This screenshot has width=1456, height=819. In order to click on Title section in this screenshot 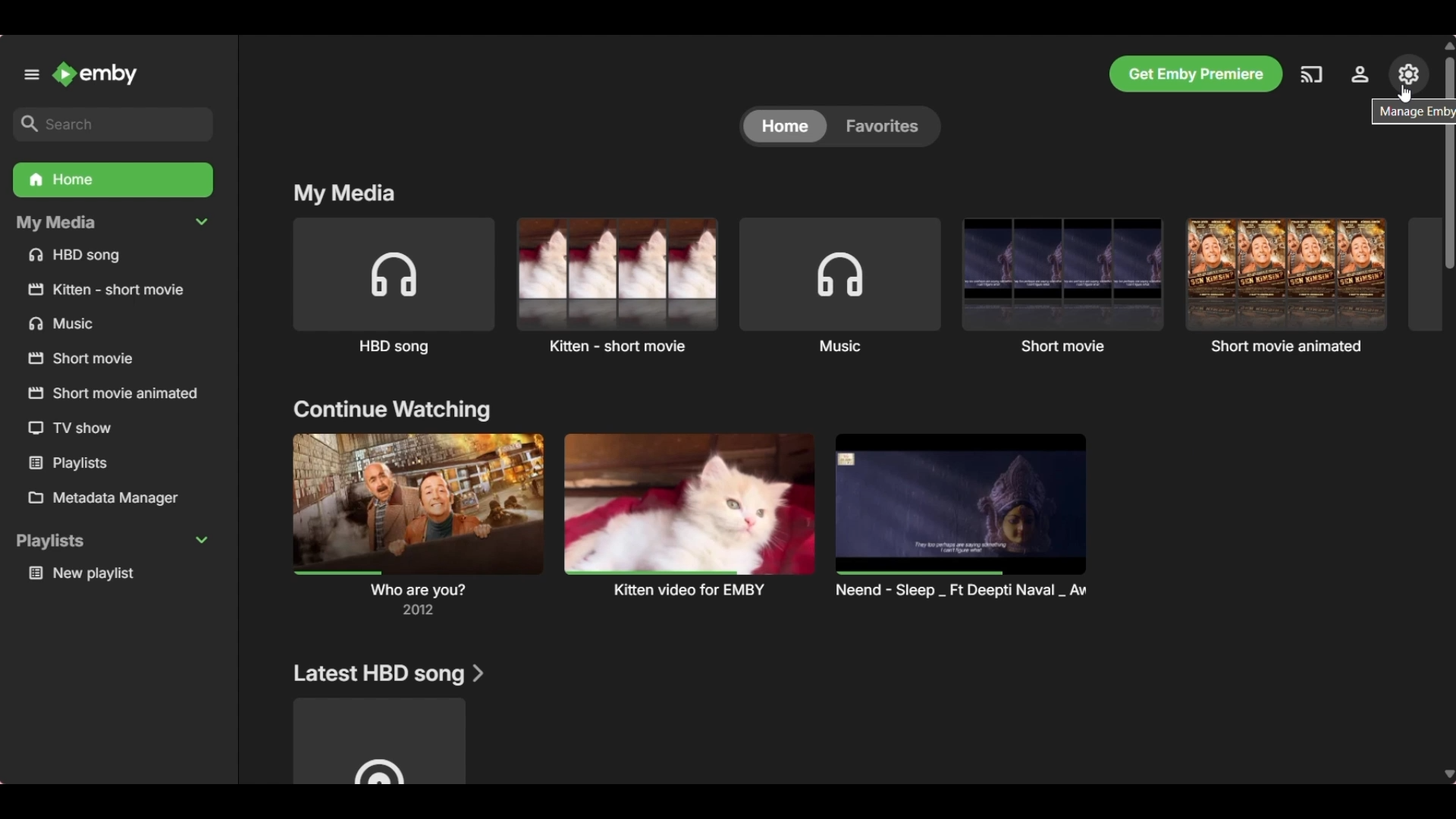, I will do `click(393, 411)`.